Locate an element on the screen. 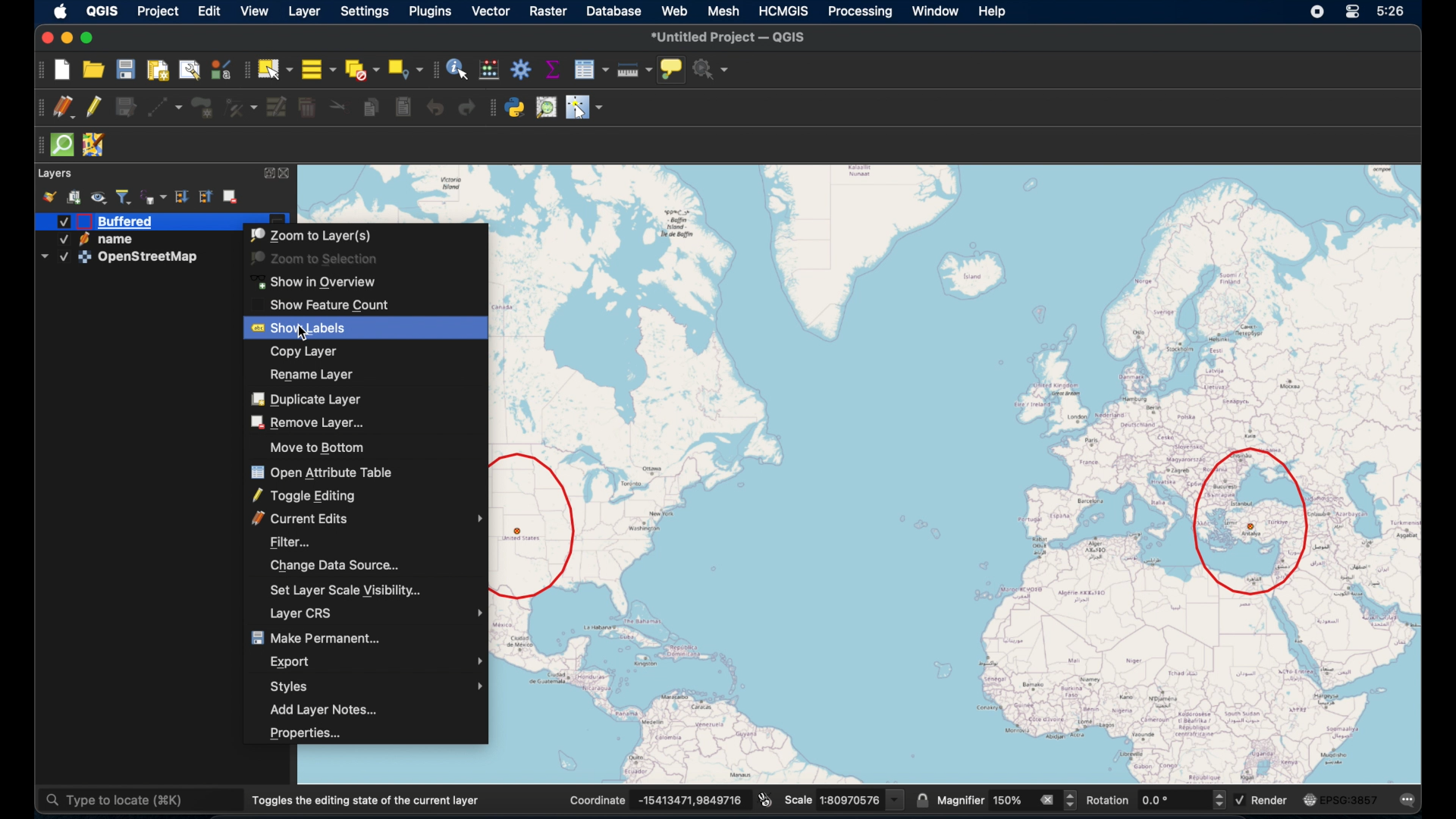 This screenshot has width=1456, height=819. control center is located at coordinates (1354, 11).